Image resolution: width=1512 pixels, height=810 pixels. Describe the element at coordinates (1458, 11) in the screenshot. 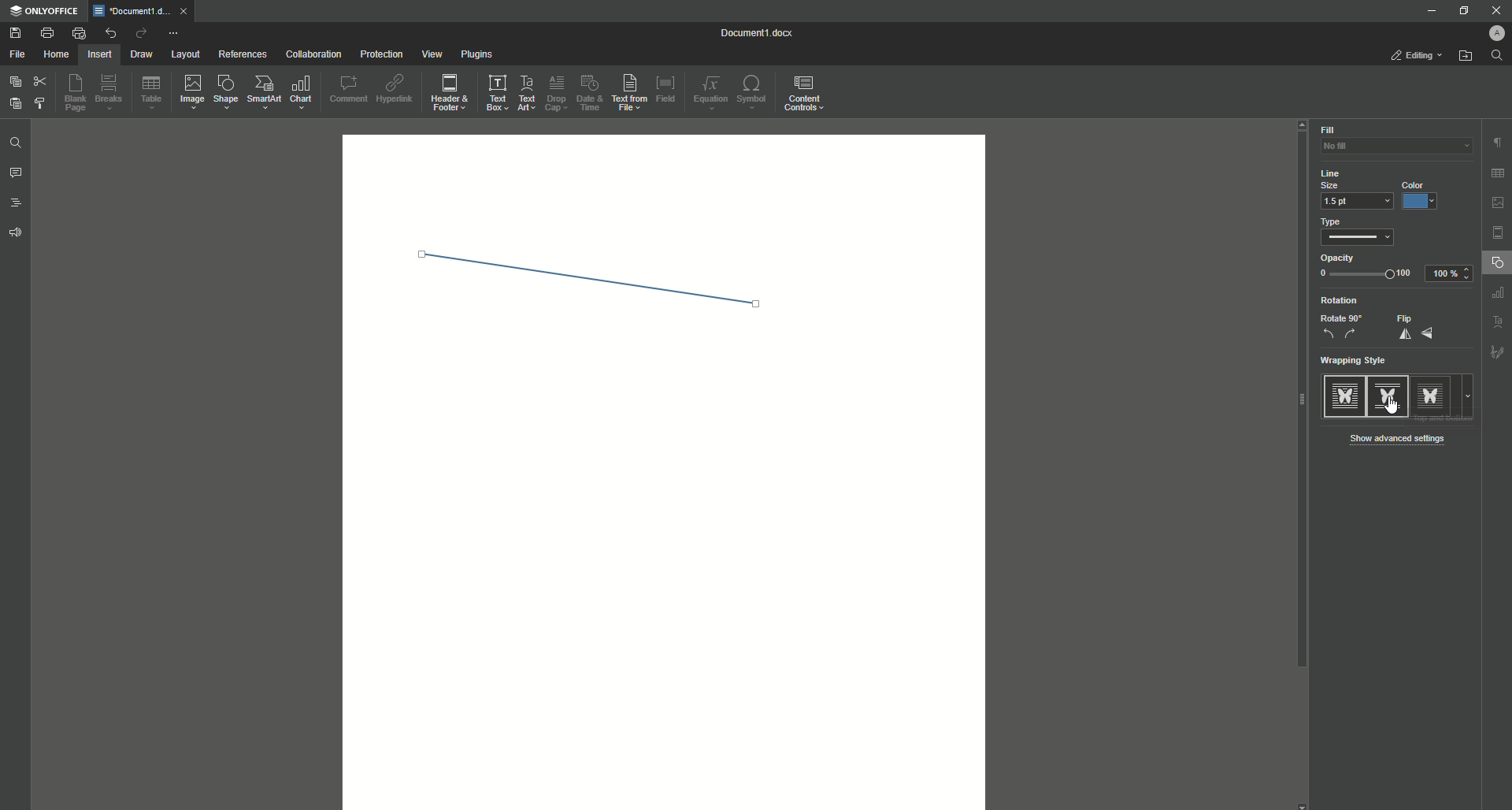

I see `Restore` at that location.